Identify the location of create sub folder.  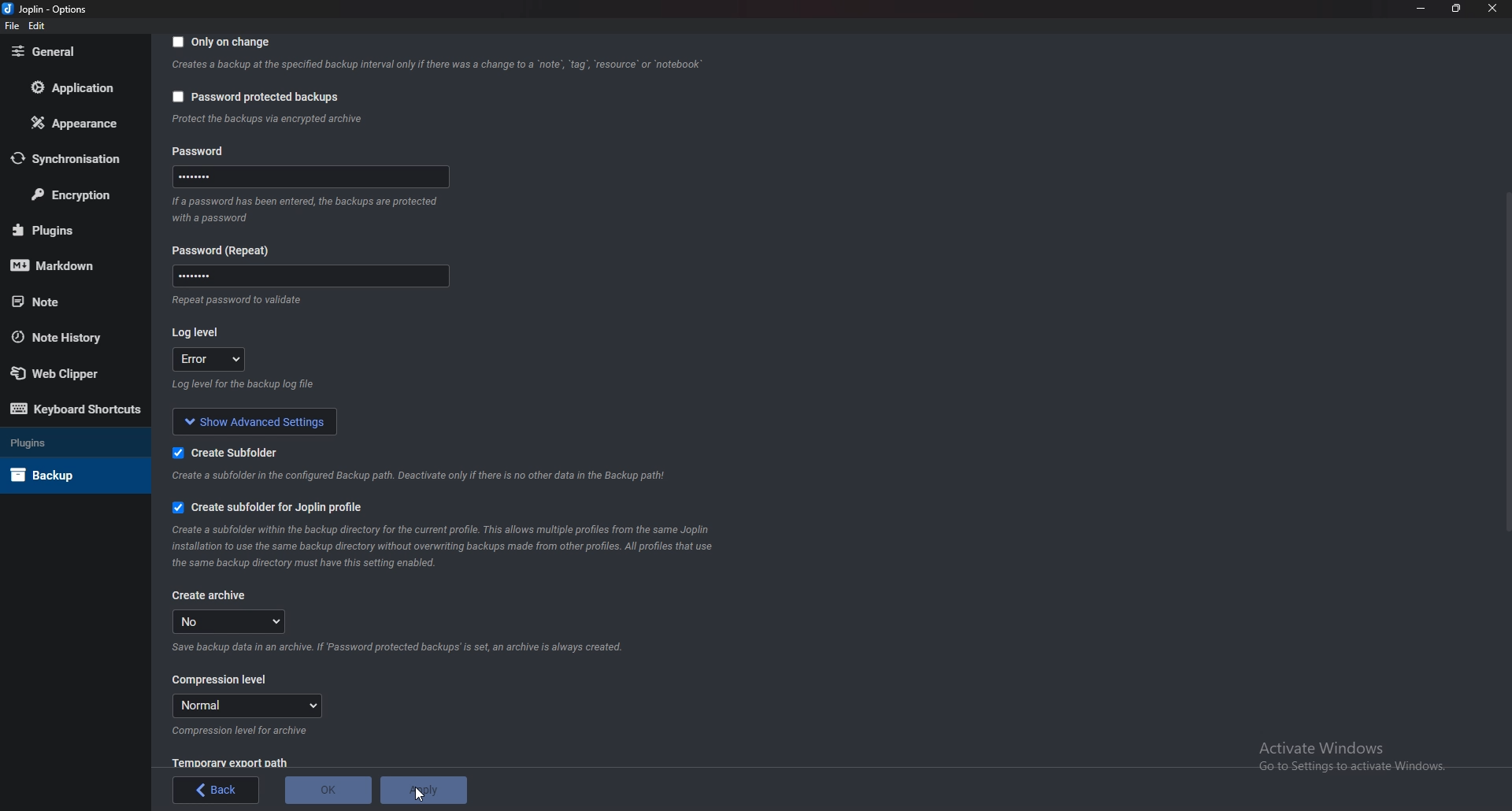
(220, 453).